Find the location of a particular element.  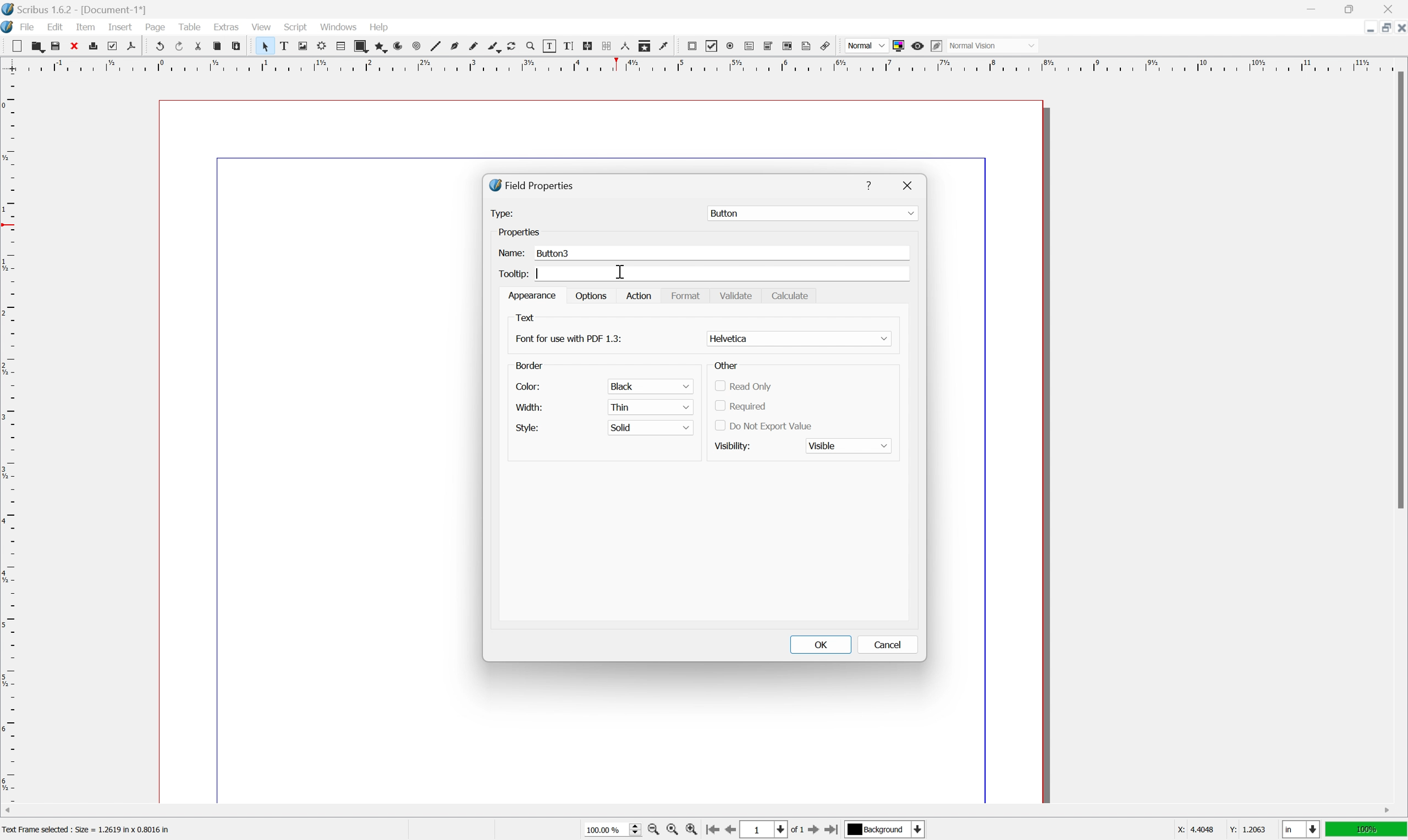

paste is located at coordinates (237, 46).